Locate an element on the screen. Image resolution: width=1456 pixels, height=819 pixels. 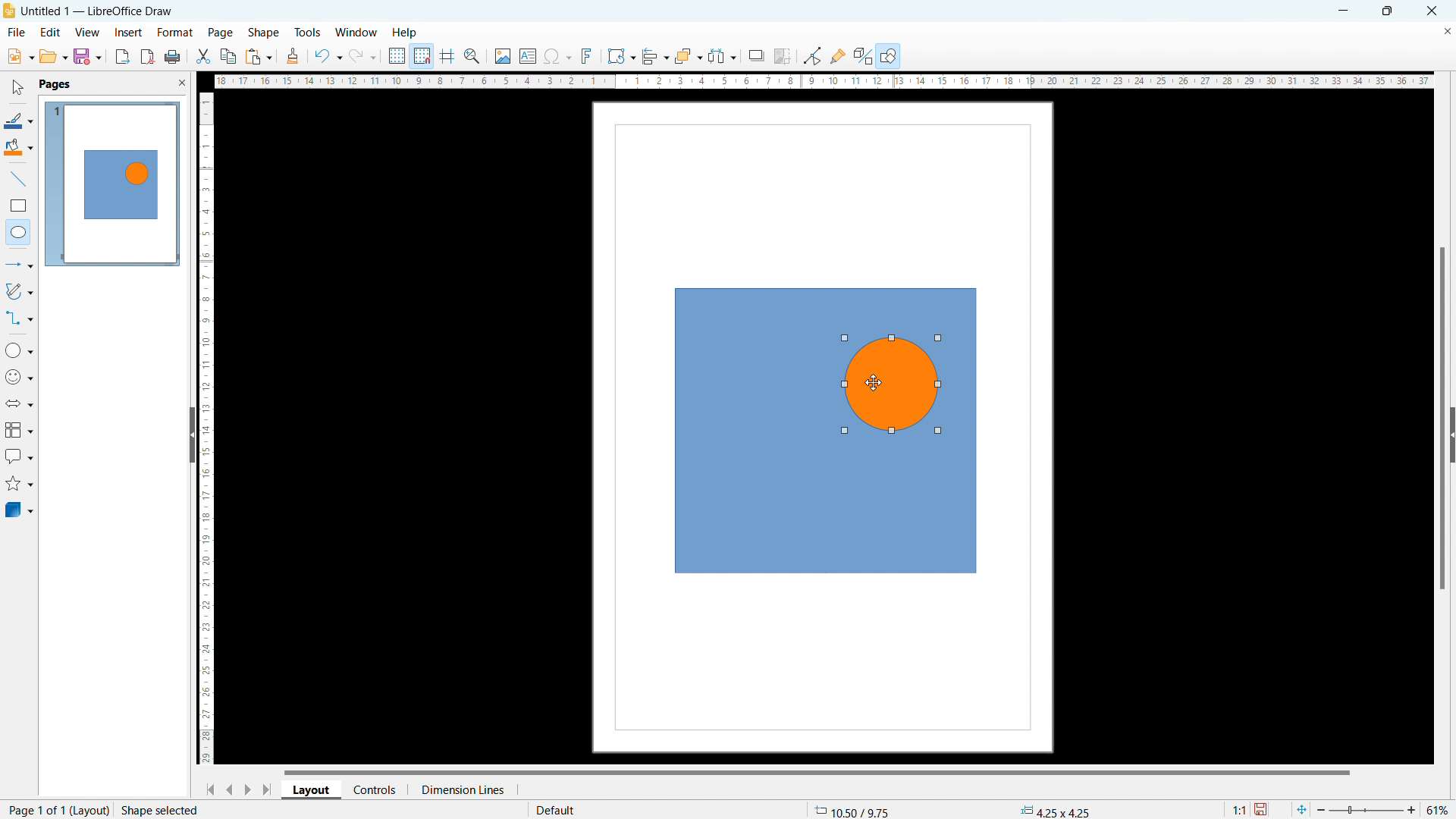
fill color is located at coordinates (19, 148).